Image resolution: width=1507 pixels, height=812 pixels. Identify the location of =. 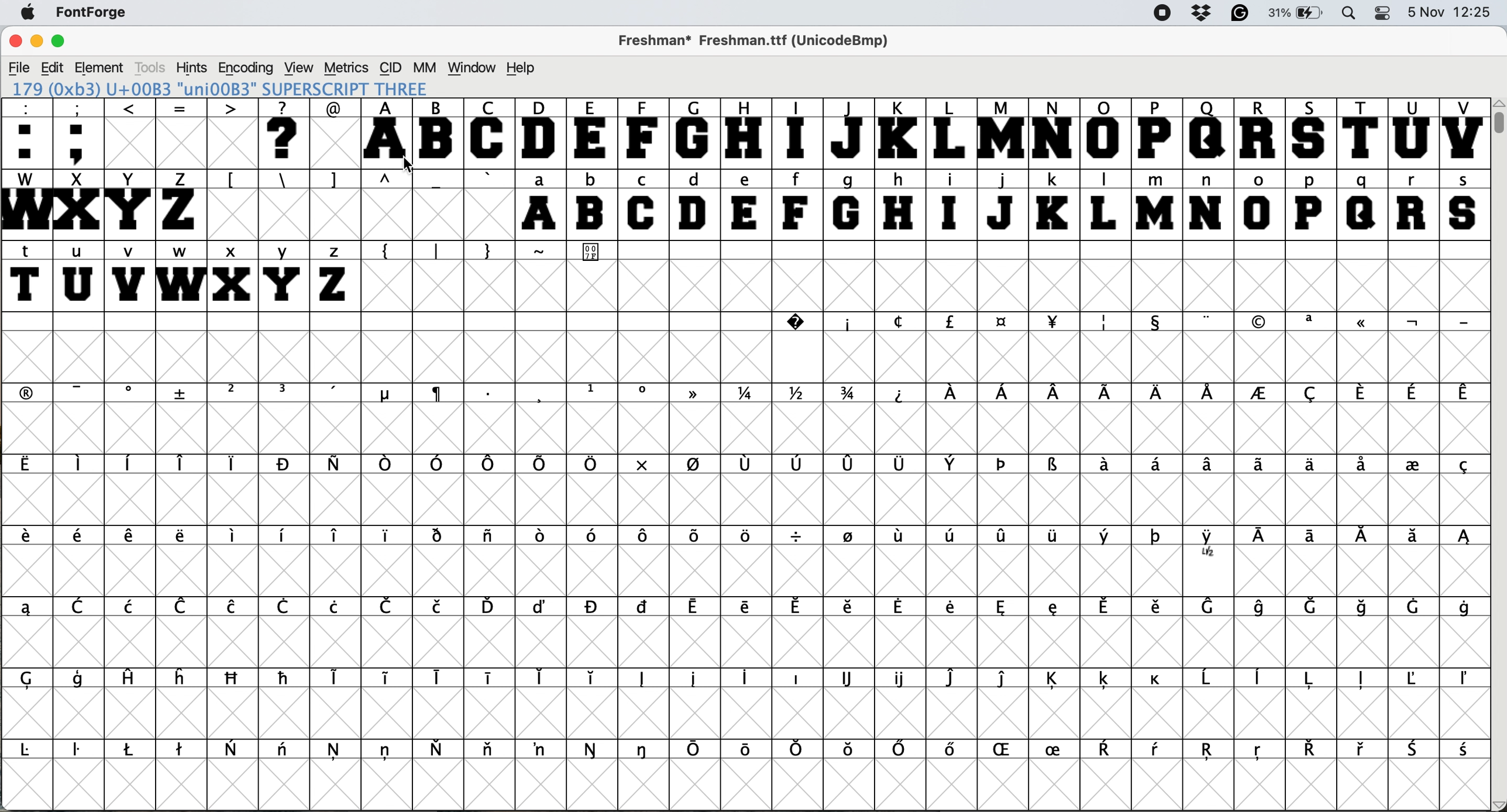
(180, 133).